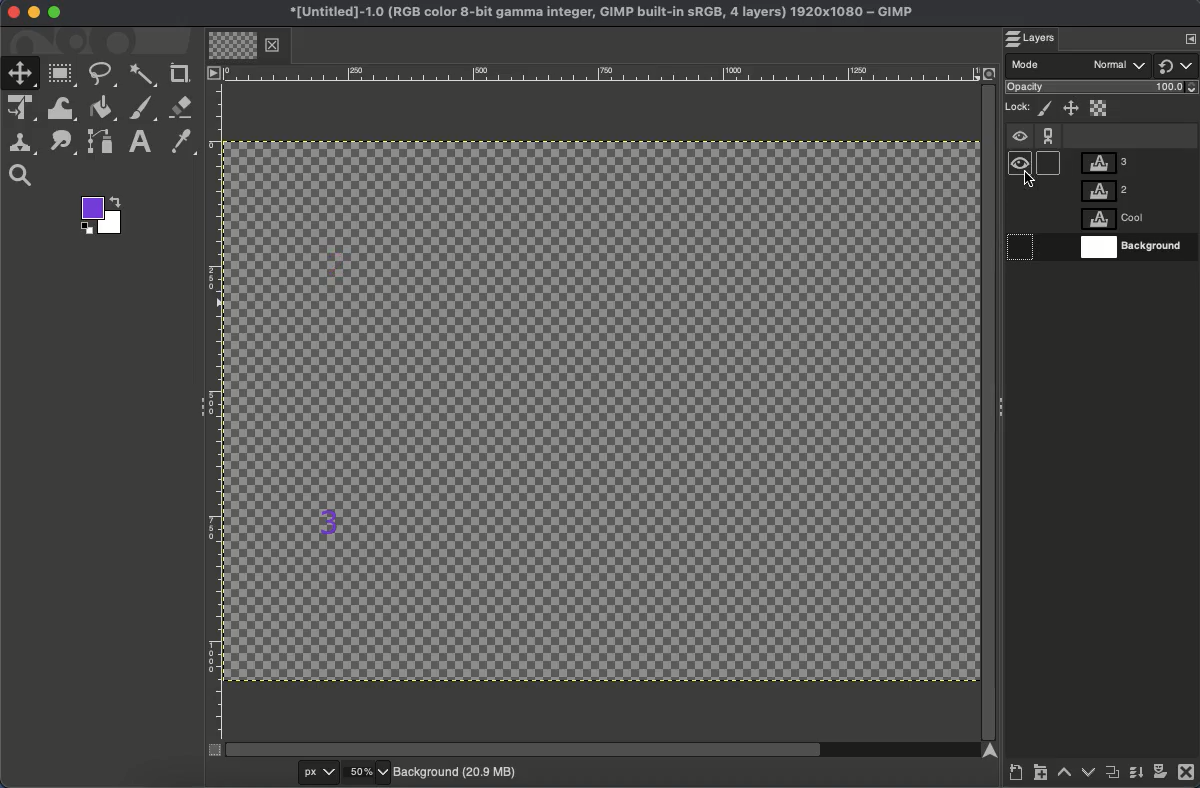 This screenshot has height=788, width=1200. Describe the element at coordinates (601, 73) in the screenshot. I see `Ruler` at that location.